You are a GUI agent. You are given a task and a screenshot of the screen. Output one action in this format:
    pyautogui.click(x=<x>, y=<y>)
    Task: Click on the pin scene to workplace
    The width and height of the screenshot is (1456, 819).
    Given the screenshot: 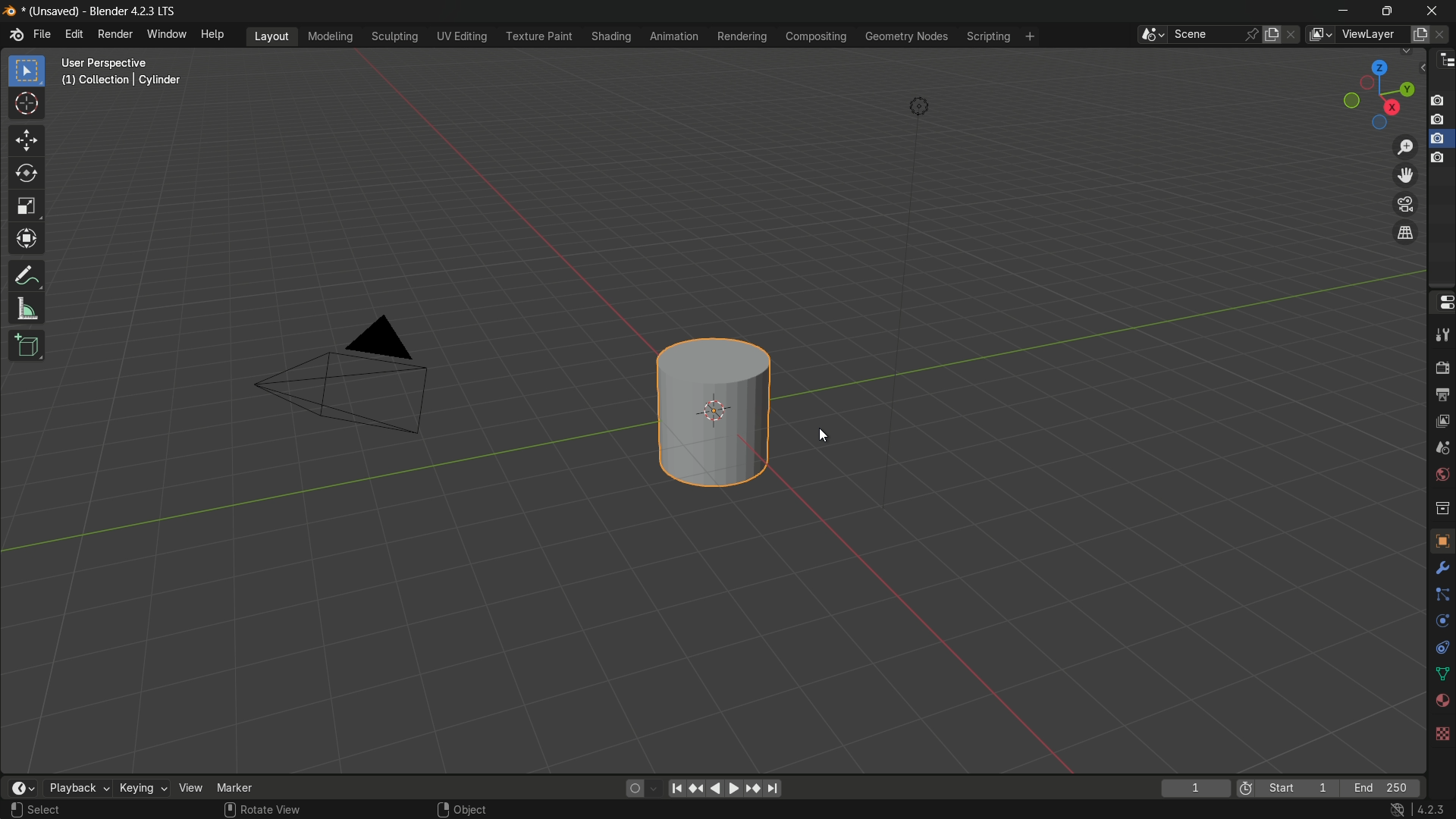 What is the action you would take?
    pyautogui.click(x=1251, y=35)
    